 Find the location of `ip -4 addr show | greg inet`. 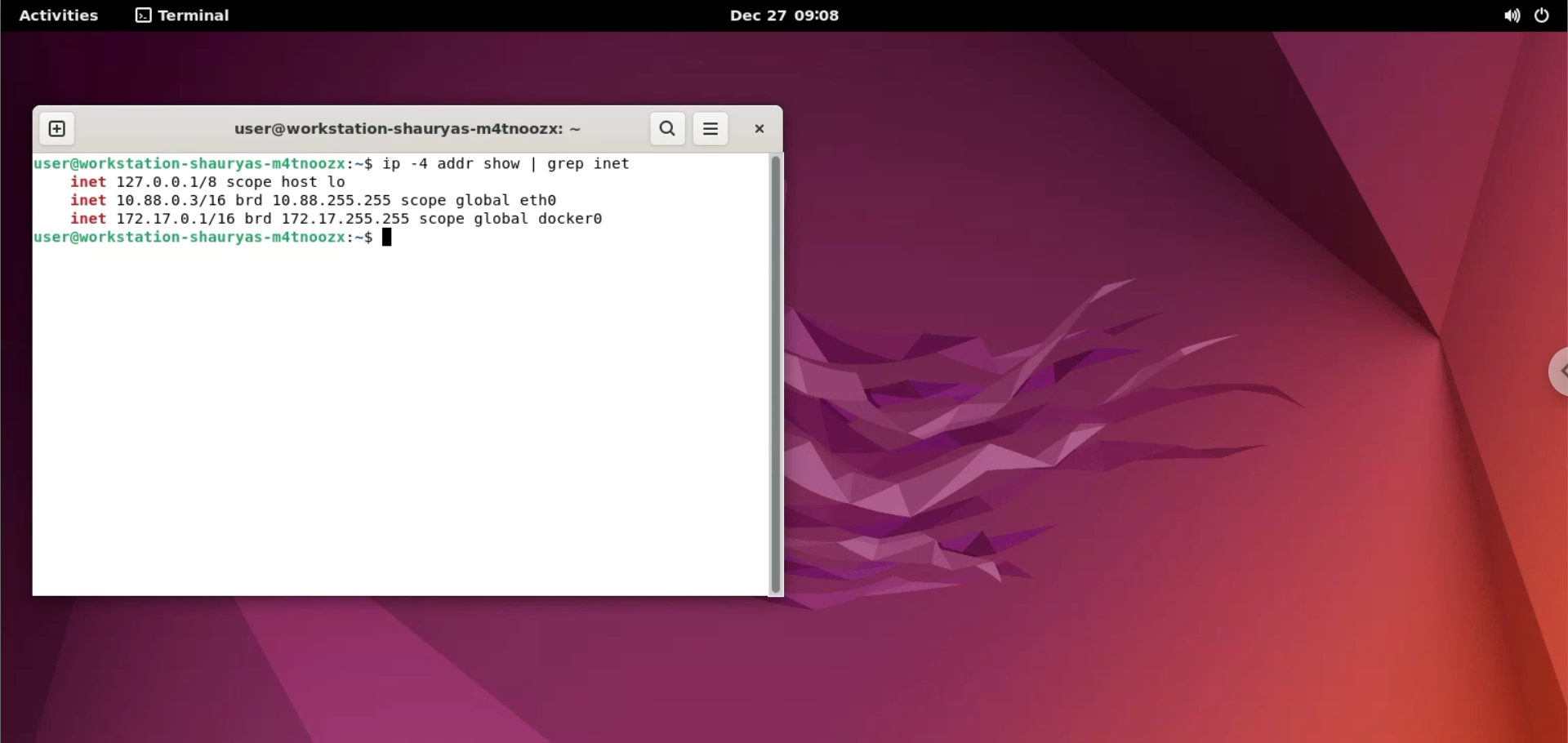

ip -4 addr show | greg inet is located at coordinates (504, 163).